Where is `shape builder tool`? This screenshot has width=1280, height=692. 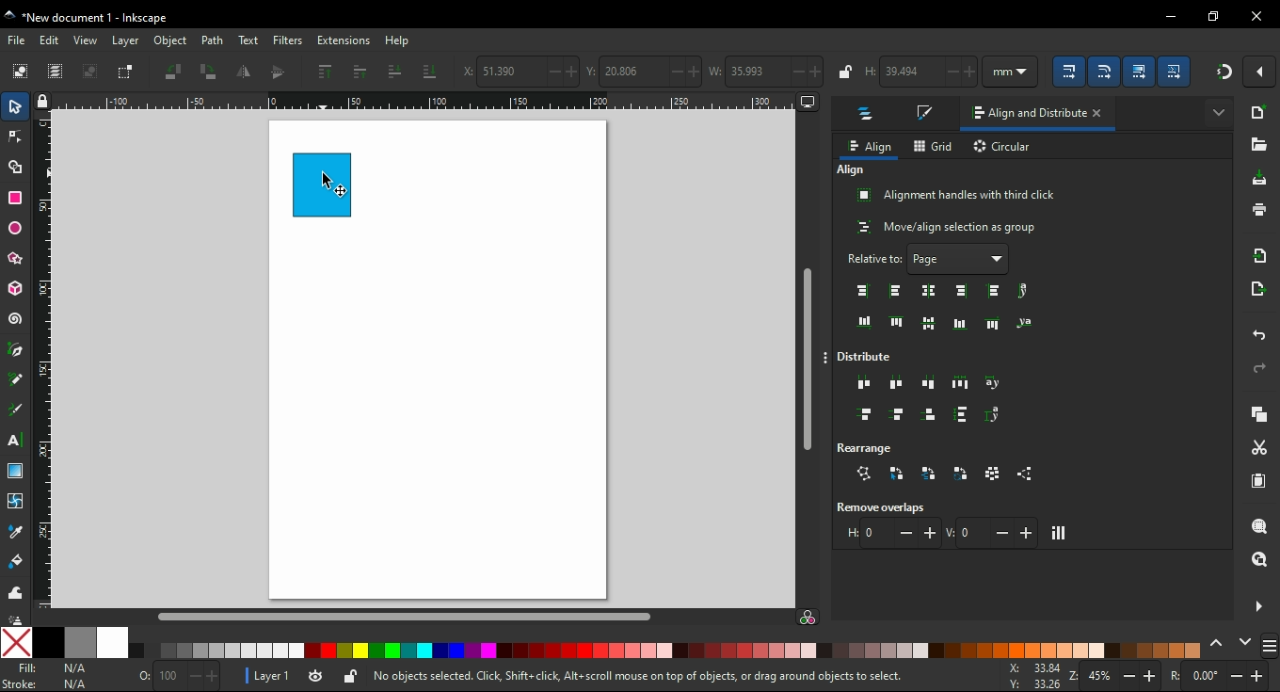
shape builder tool is located at coordinates (15, 166).